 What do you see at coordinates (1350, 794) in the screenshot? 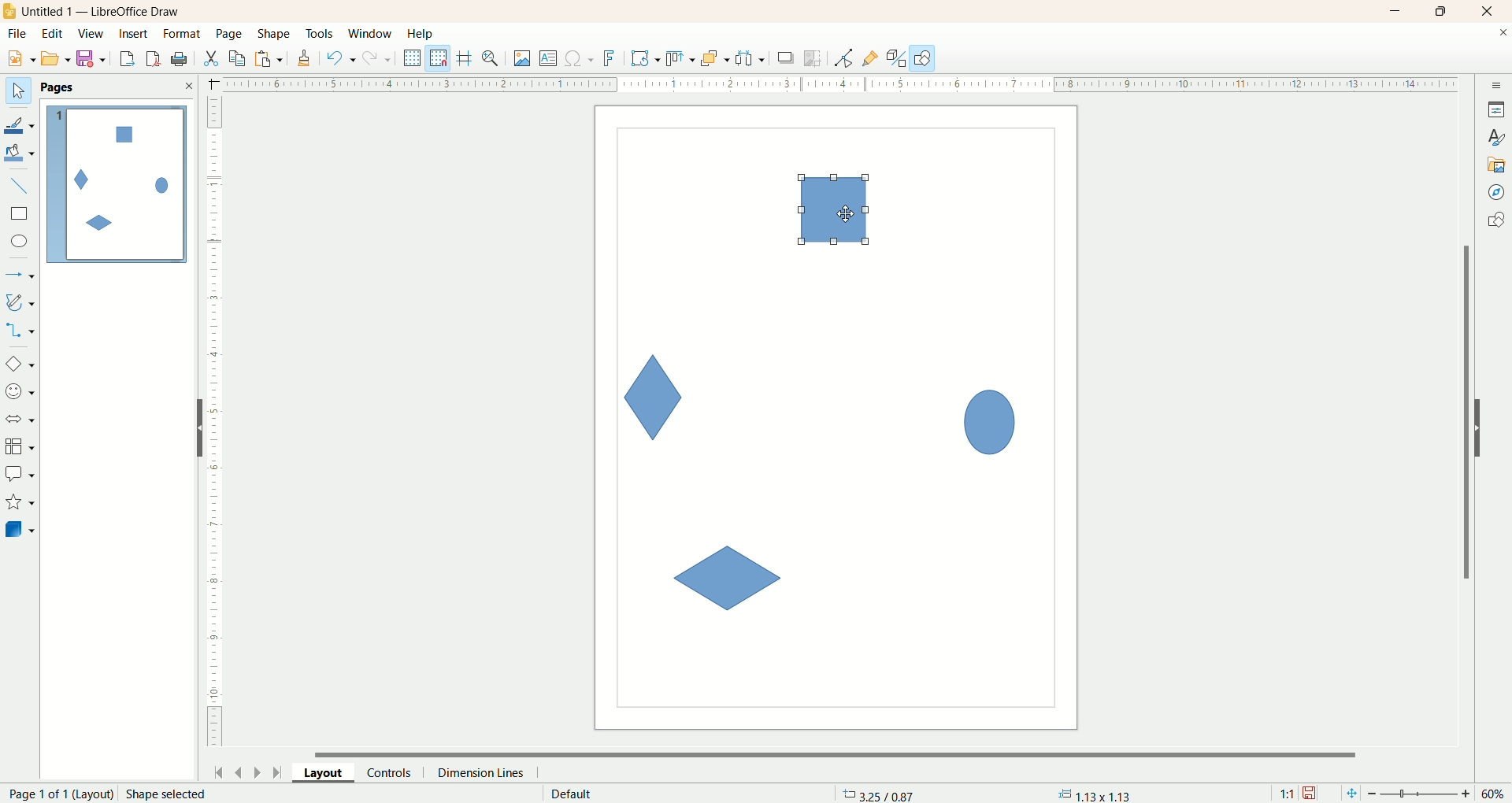
I see `fit to current window` at bounding box center [1350, 794].